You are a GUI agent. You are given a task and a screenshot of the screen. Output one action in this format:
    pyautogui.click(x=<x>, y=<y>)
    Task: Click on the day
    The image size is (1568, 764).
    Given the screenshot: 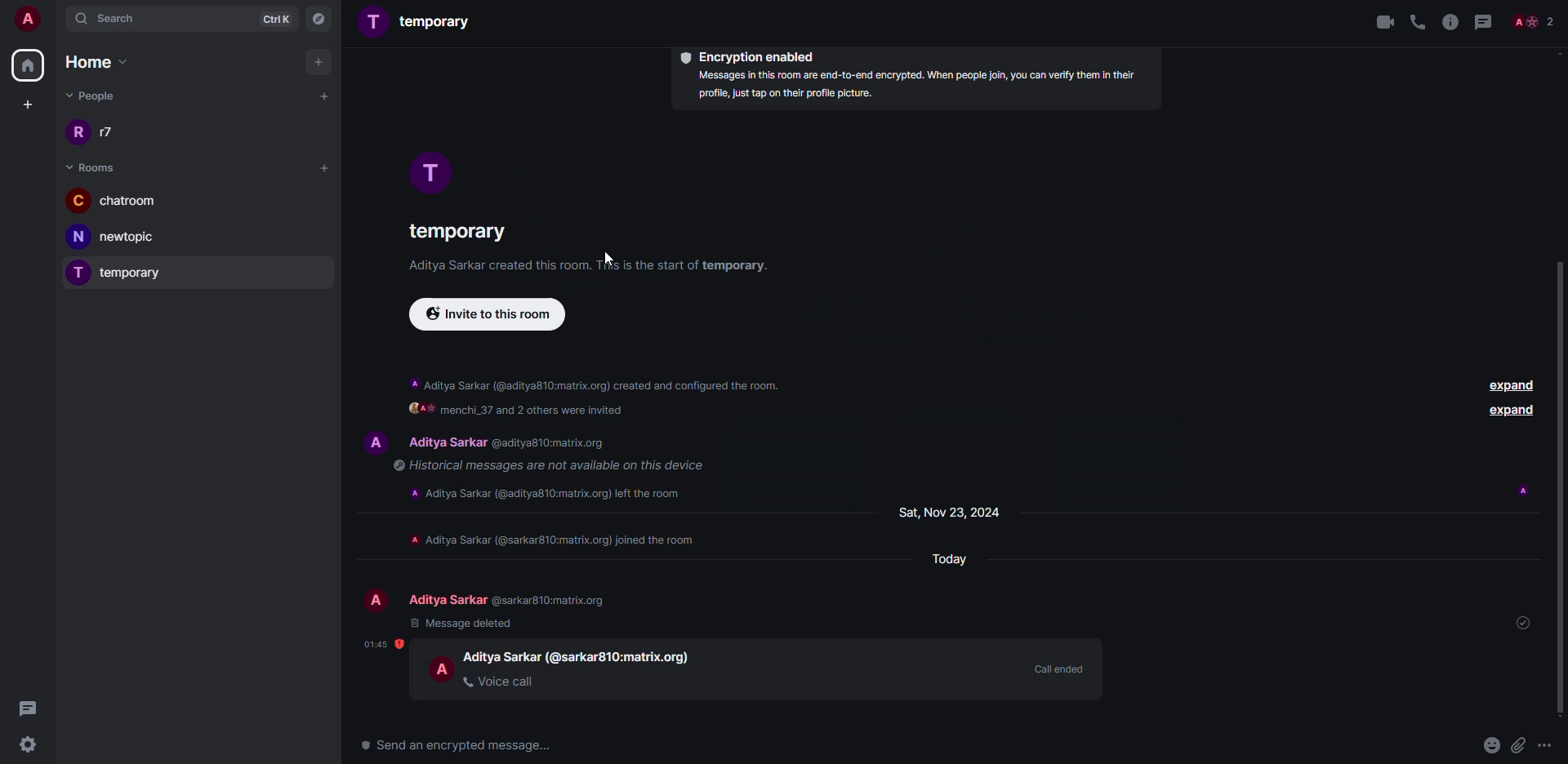 What is the action you would take?
    pyautogui.click(x=951, y=513)
    